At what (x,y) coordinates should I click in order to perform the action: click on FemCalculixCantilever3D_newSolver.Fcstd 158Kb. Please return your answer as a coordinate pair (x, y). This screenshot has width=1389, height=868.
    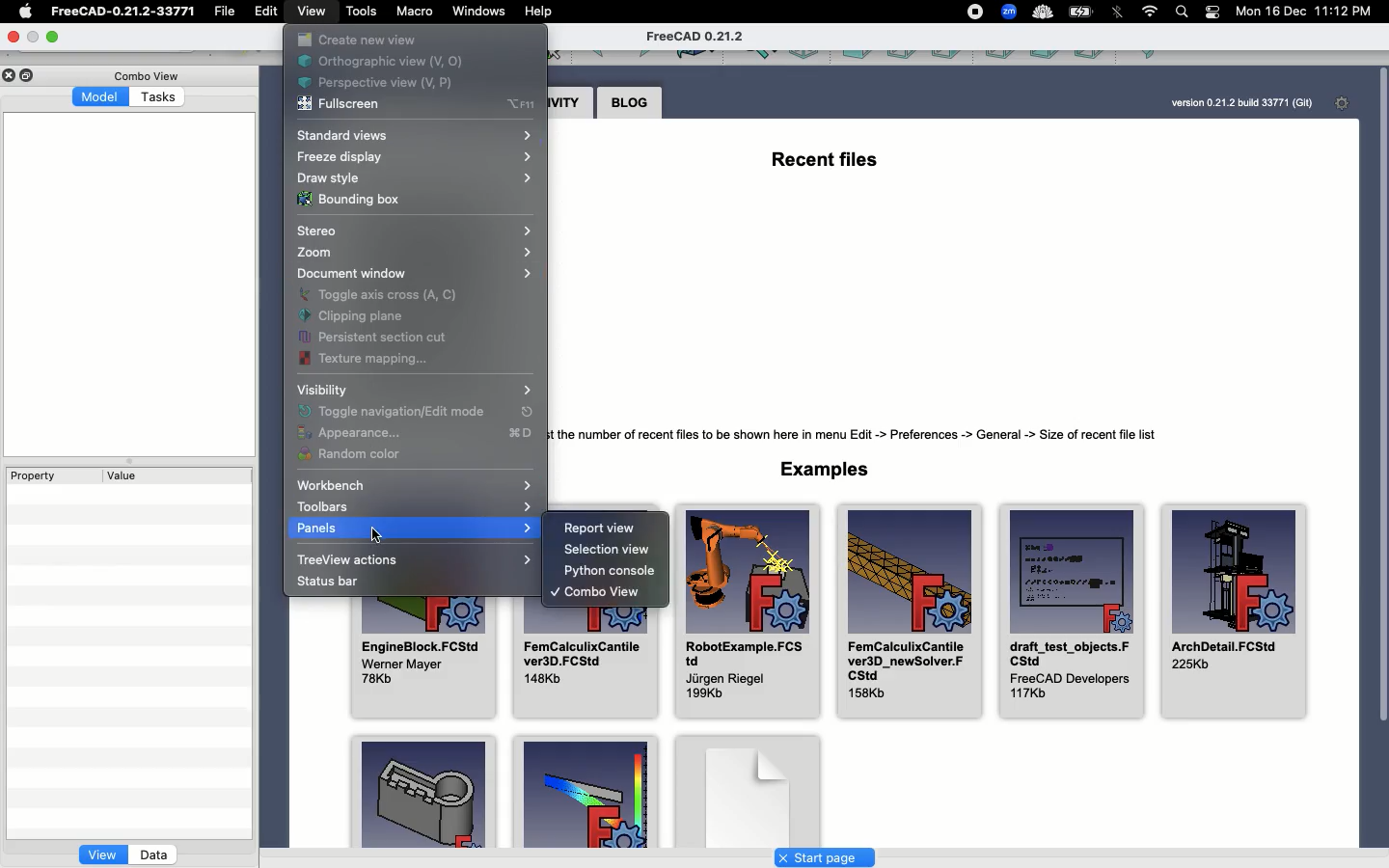
    Looking at the image, I should click on (912, 612).